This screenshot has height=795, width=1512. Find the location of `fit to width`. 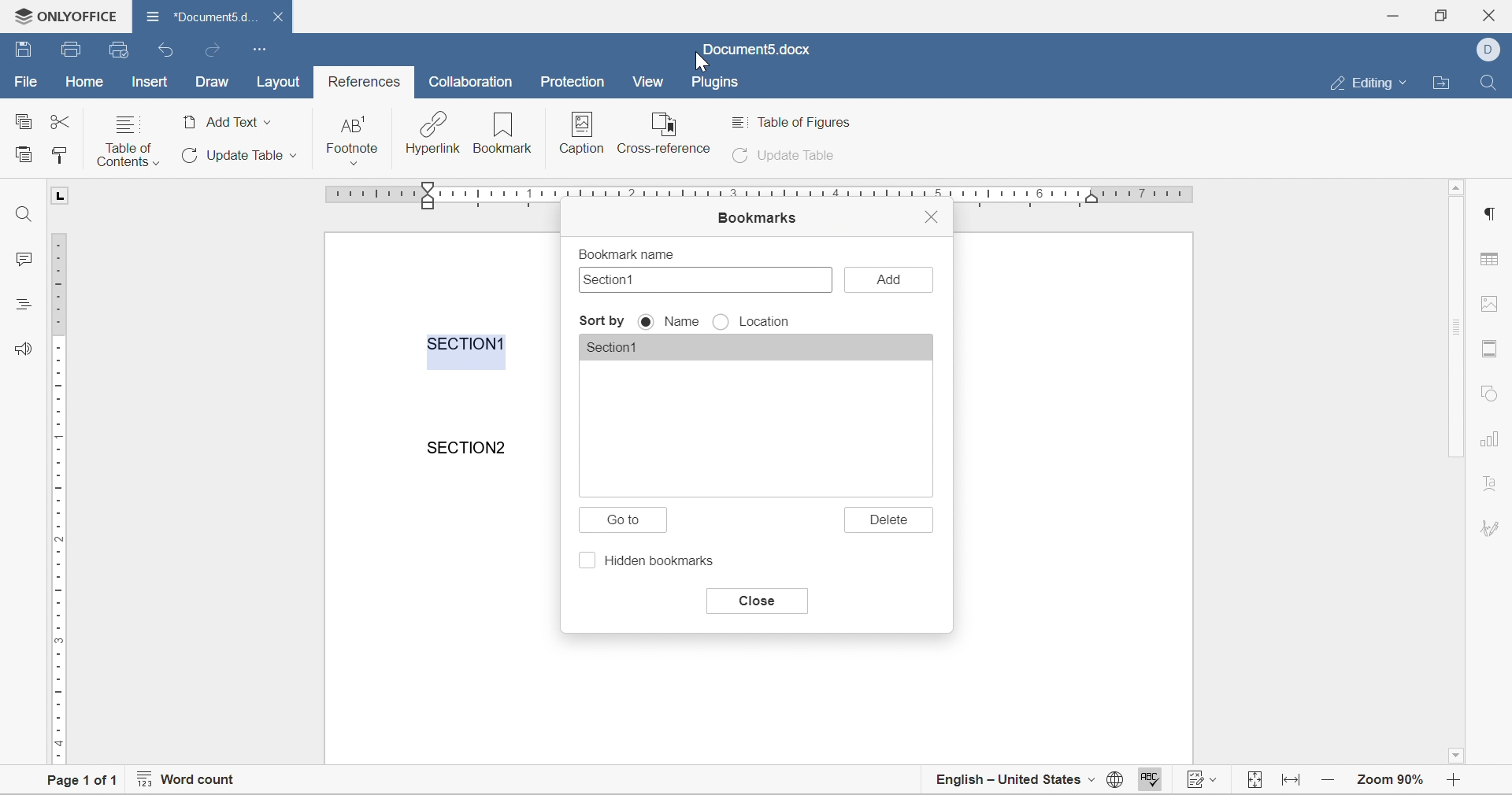

fit to width is located at coordinates (1293, 785).